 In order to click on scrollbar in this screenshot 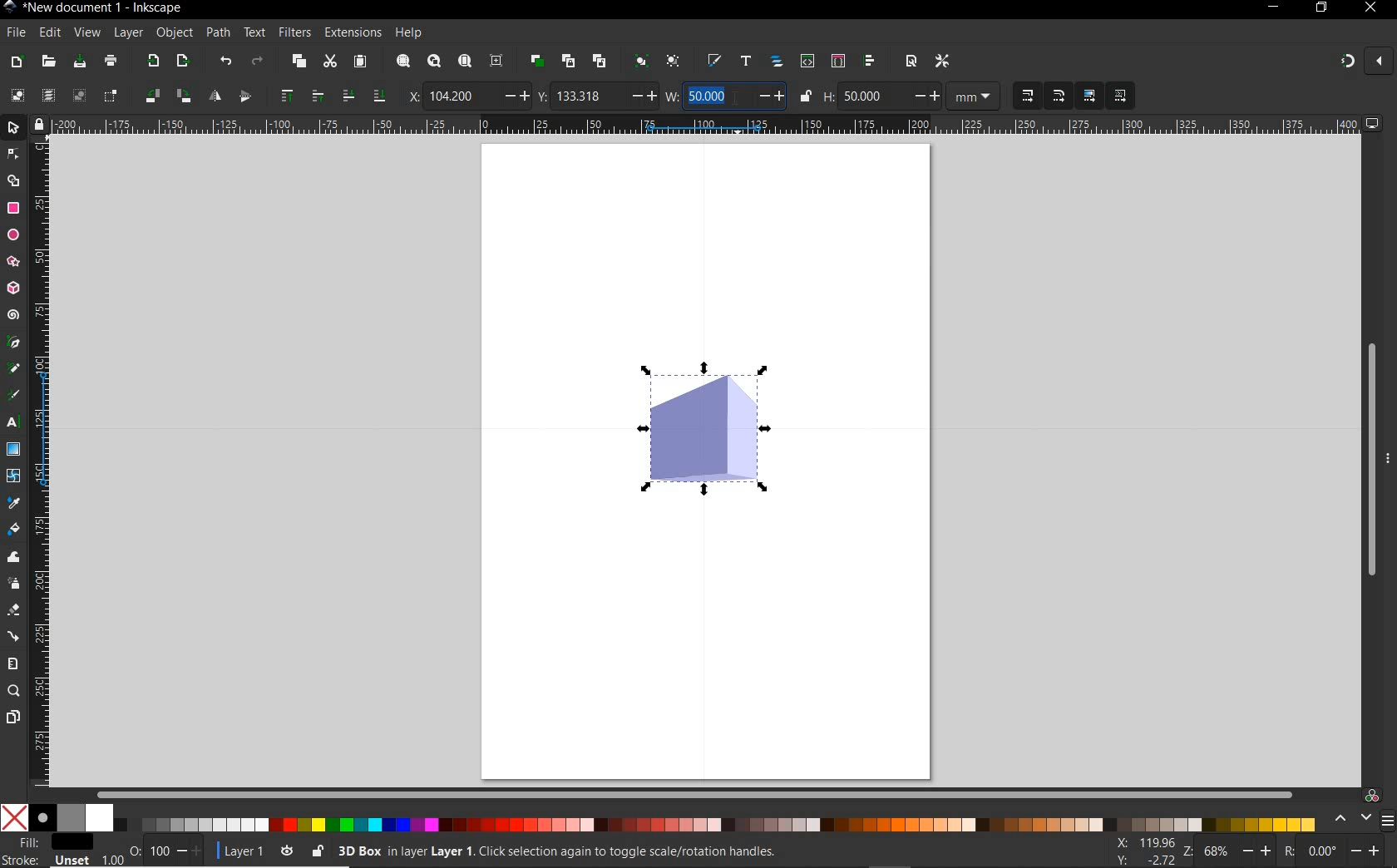, I will do `click(697, 793)`.